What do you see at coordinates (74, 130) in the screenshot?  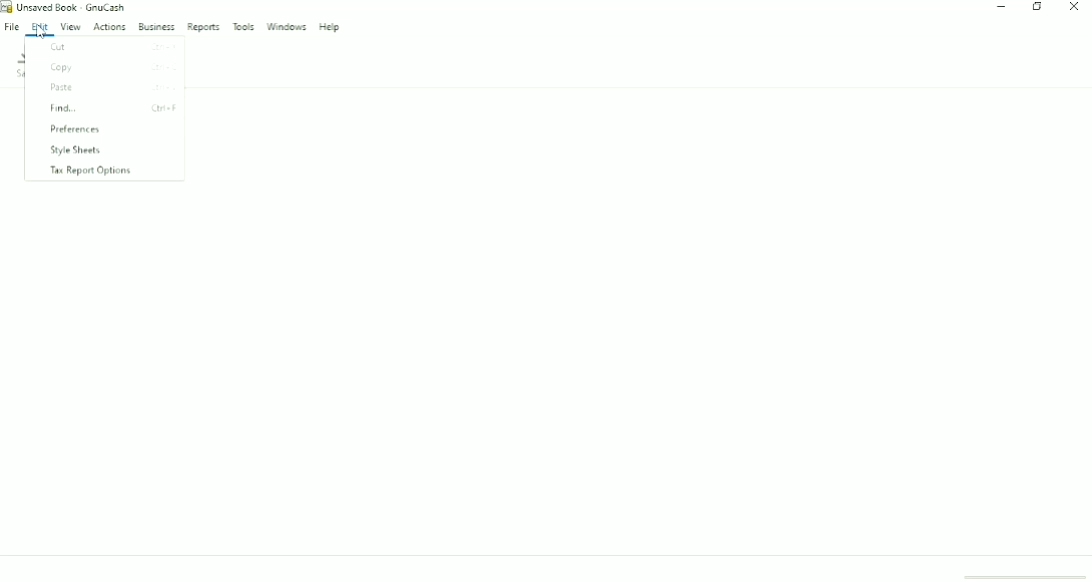 I see `Preferences` at bounding box center [74, 130].